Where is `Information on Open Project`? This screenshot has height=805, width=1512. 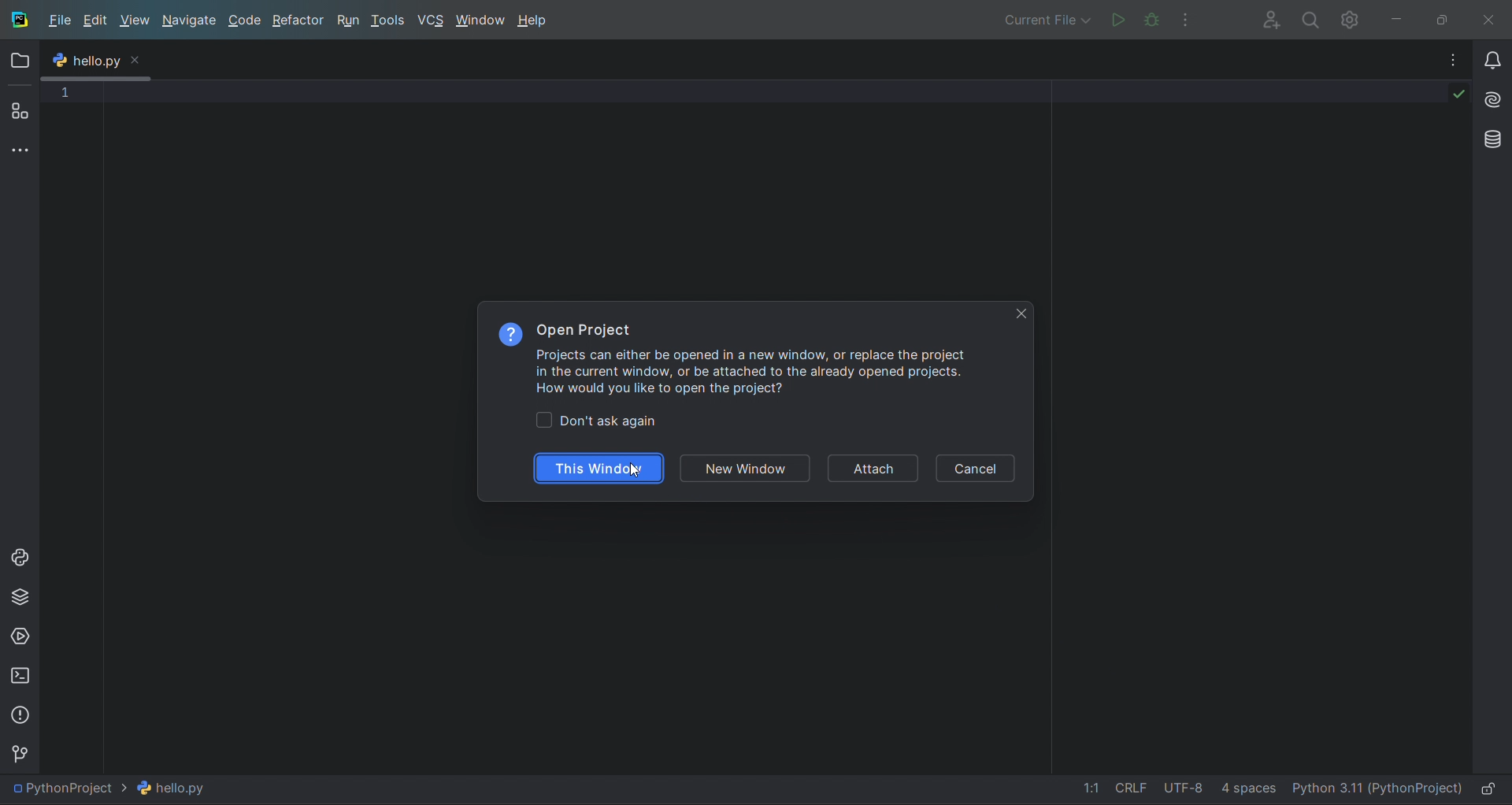
Information on Open Project is located at coordinates (761, 357).